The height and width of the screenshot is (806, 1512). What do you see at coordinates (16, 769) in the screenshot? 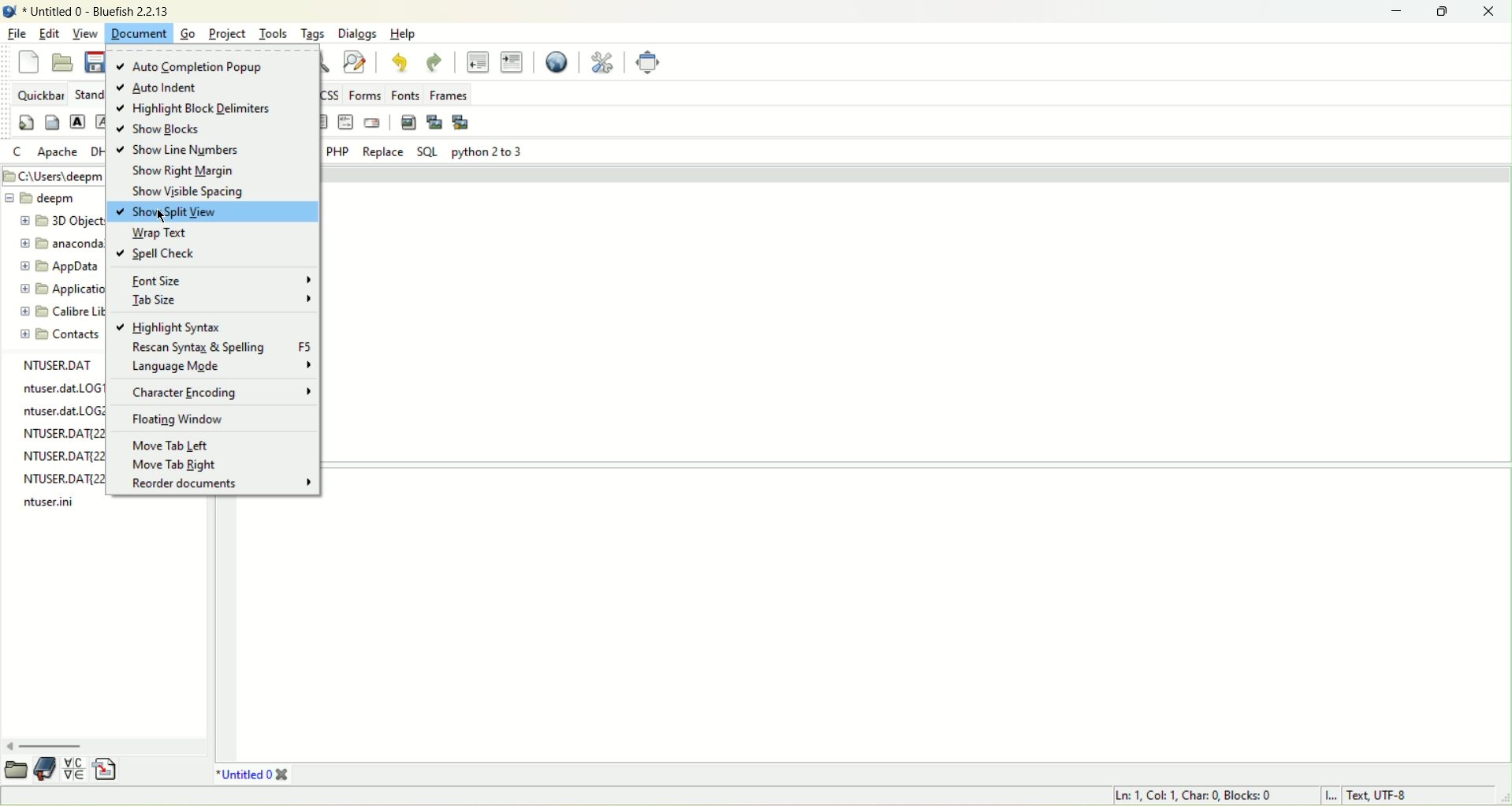
I see `file explorer` at bounding box center [16, 769].